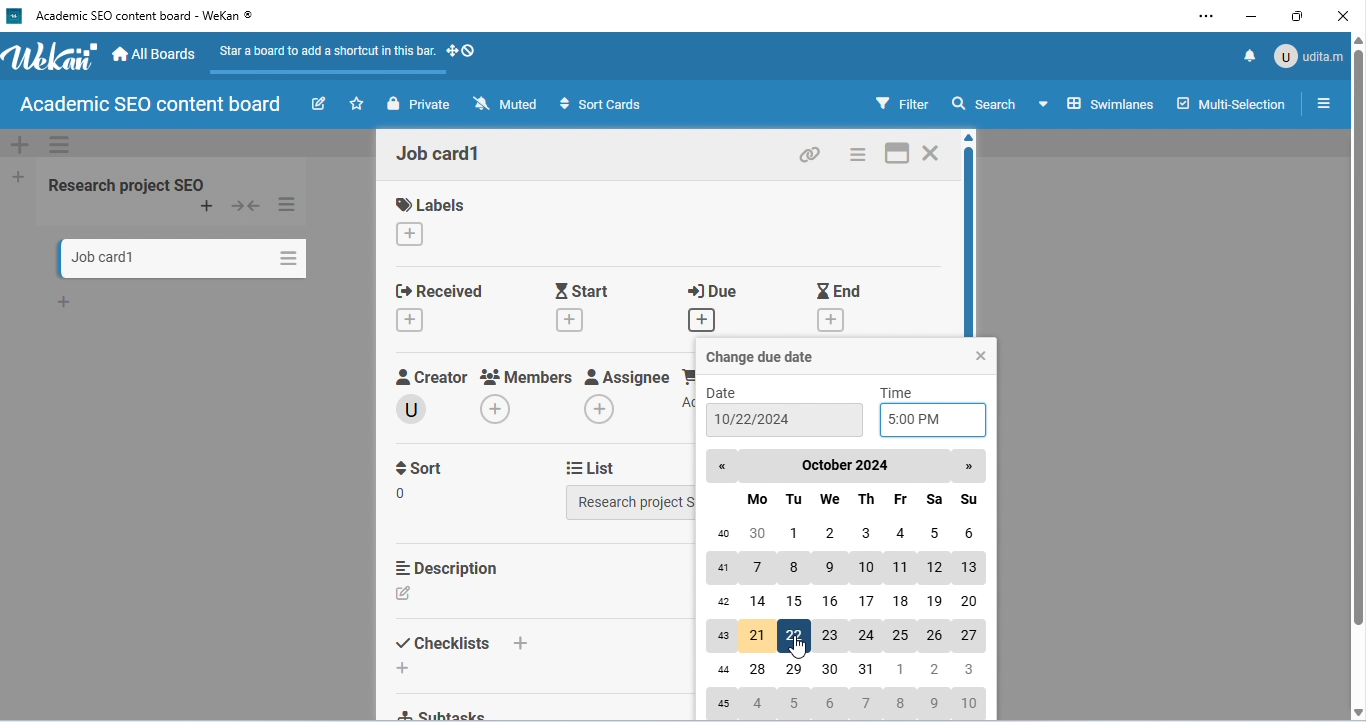 Image resolution: width=1366 pixels, height=722 pixels. I want to click on creator name, so click(420, 409).